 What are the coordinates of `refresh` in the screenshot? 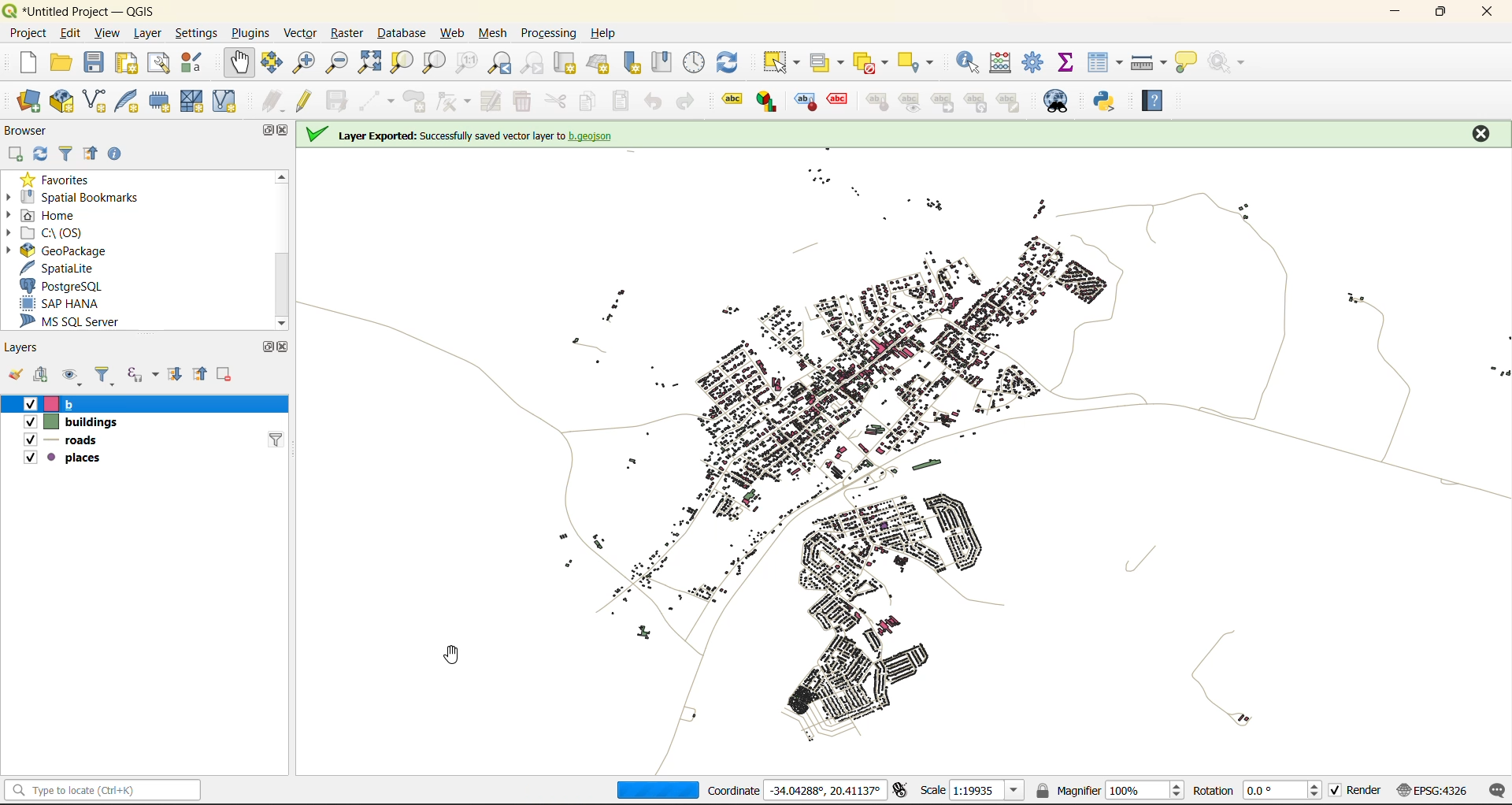 It's located at (731, 61).